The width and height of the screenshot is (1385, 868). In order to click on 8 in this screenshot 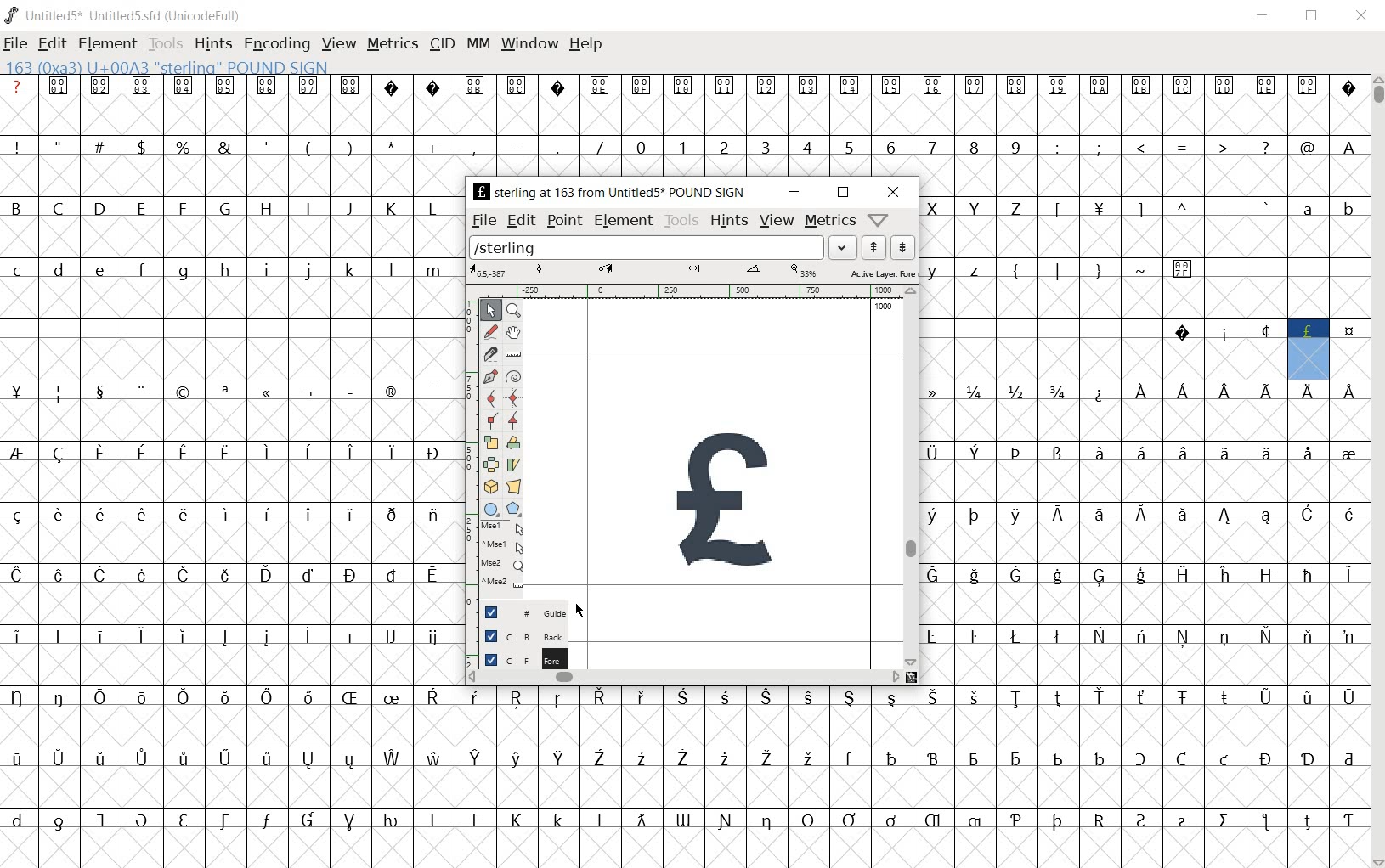, I will do `click(973, 148)`.